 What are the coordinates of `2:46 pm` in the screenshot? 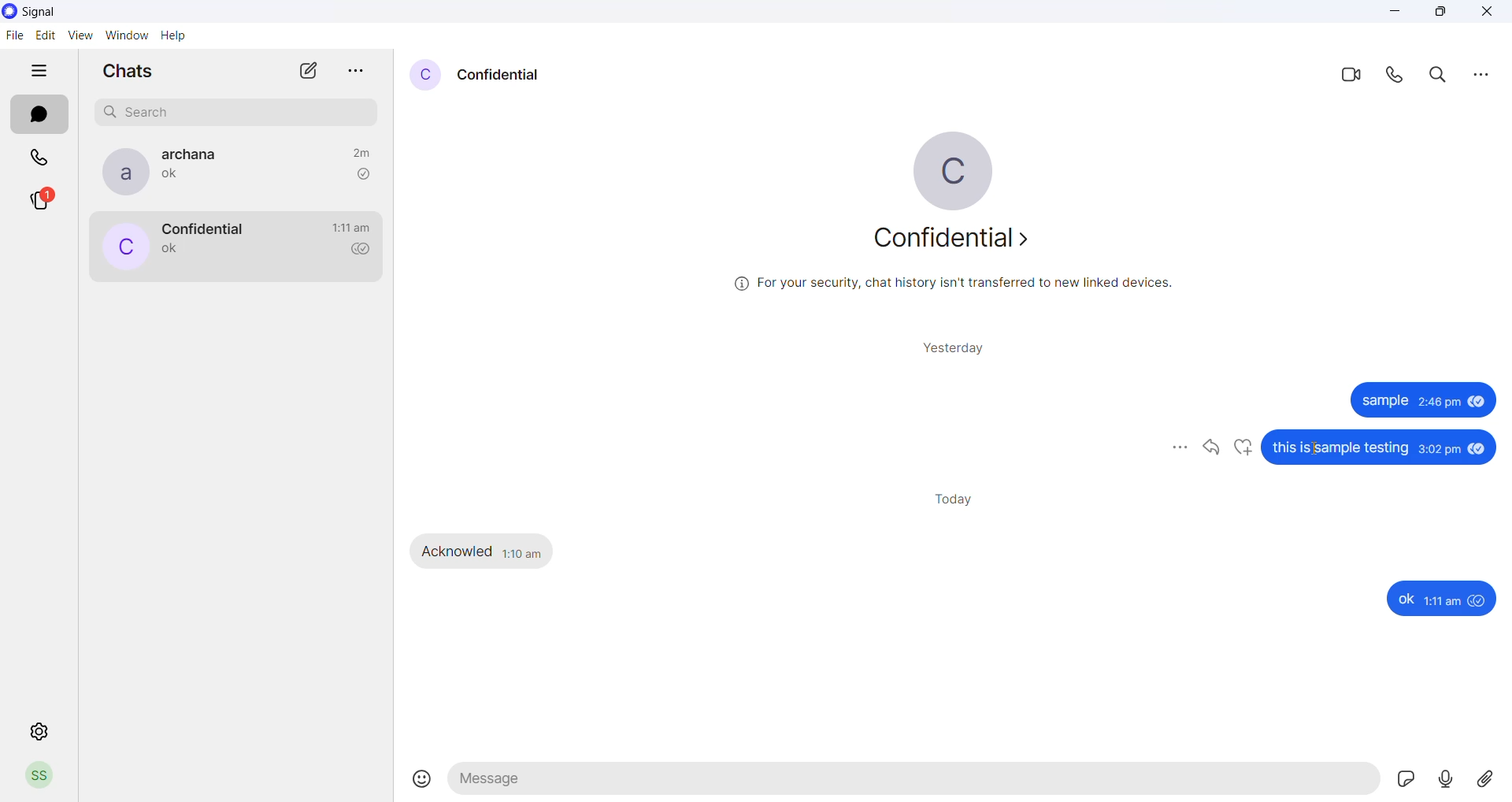 It's located at (1438, 404).